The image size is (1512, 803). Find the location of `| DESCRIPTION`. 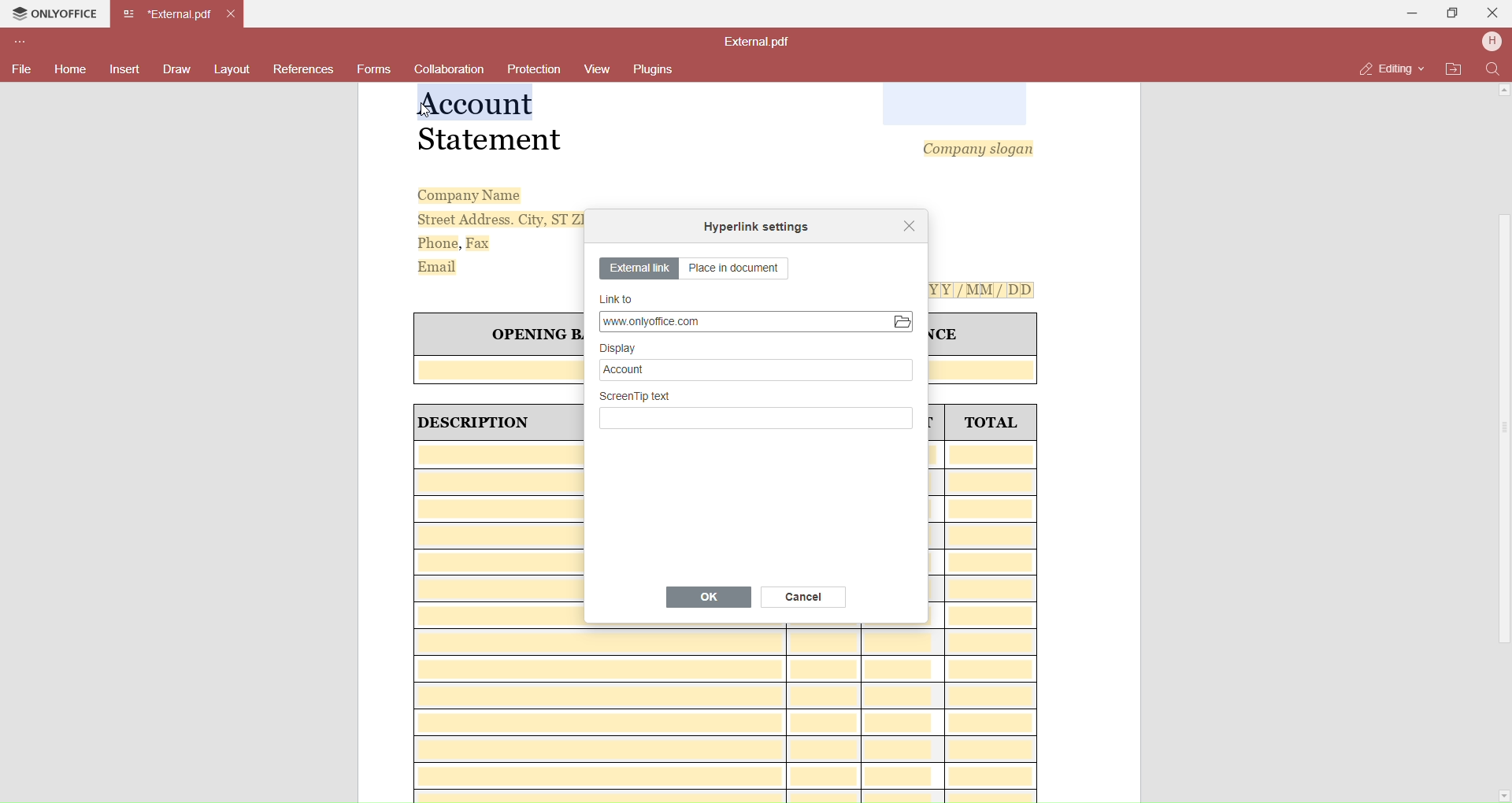

| DESCRIPTION is located at coordinates (476, 423).